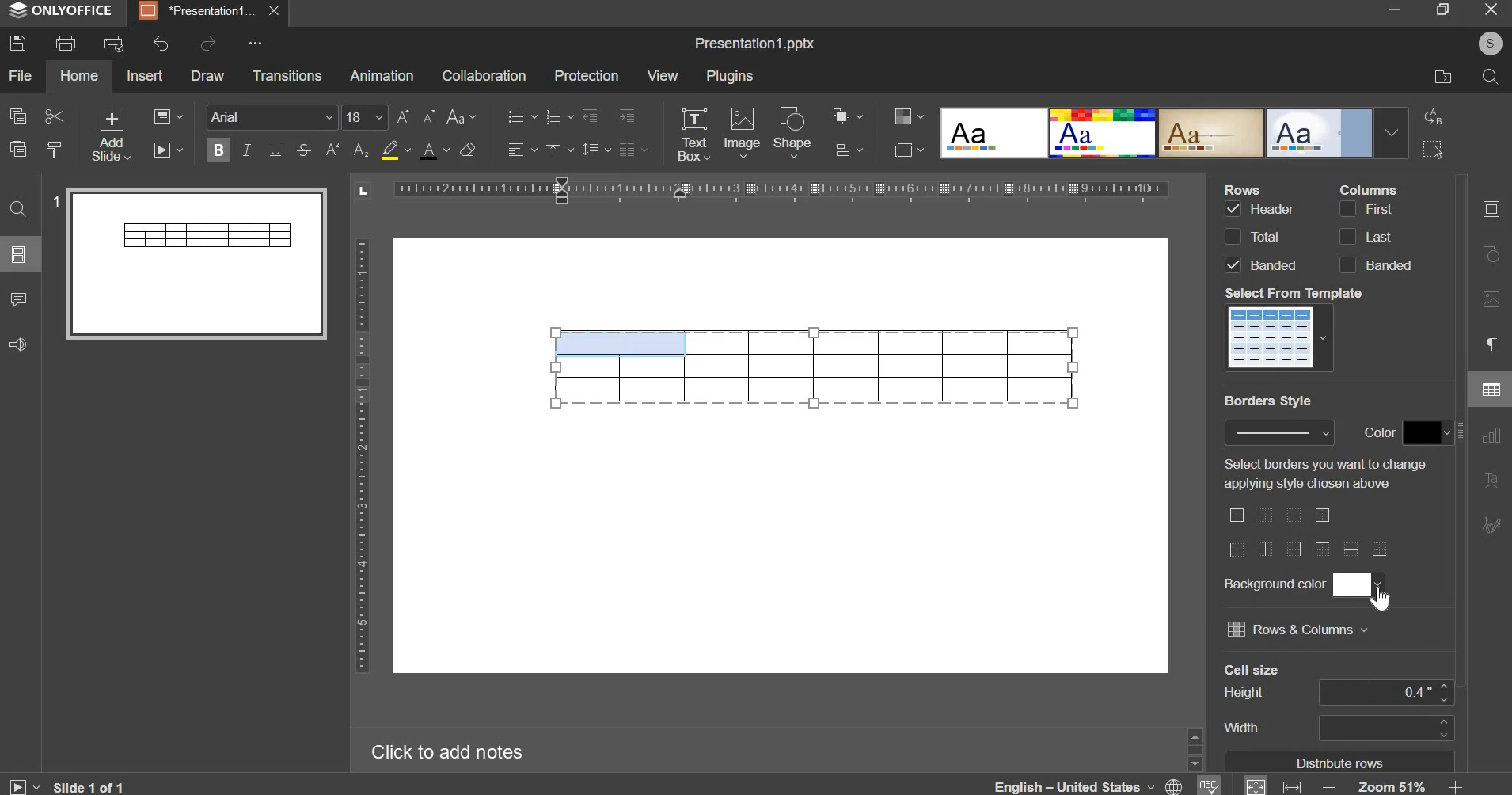 This screenshot has height=795, width=1512. I want to click on arrange object, so click(847, 116).